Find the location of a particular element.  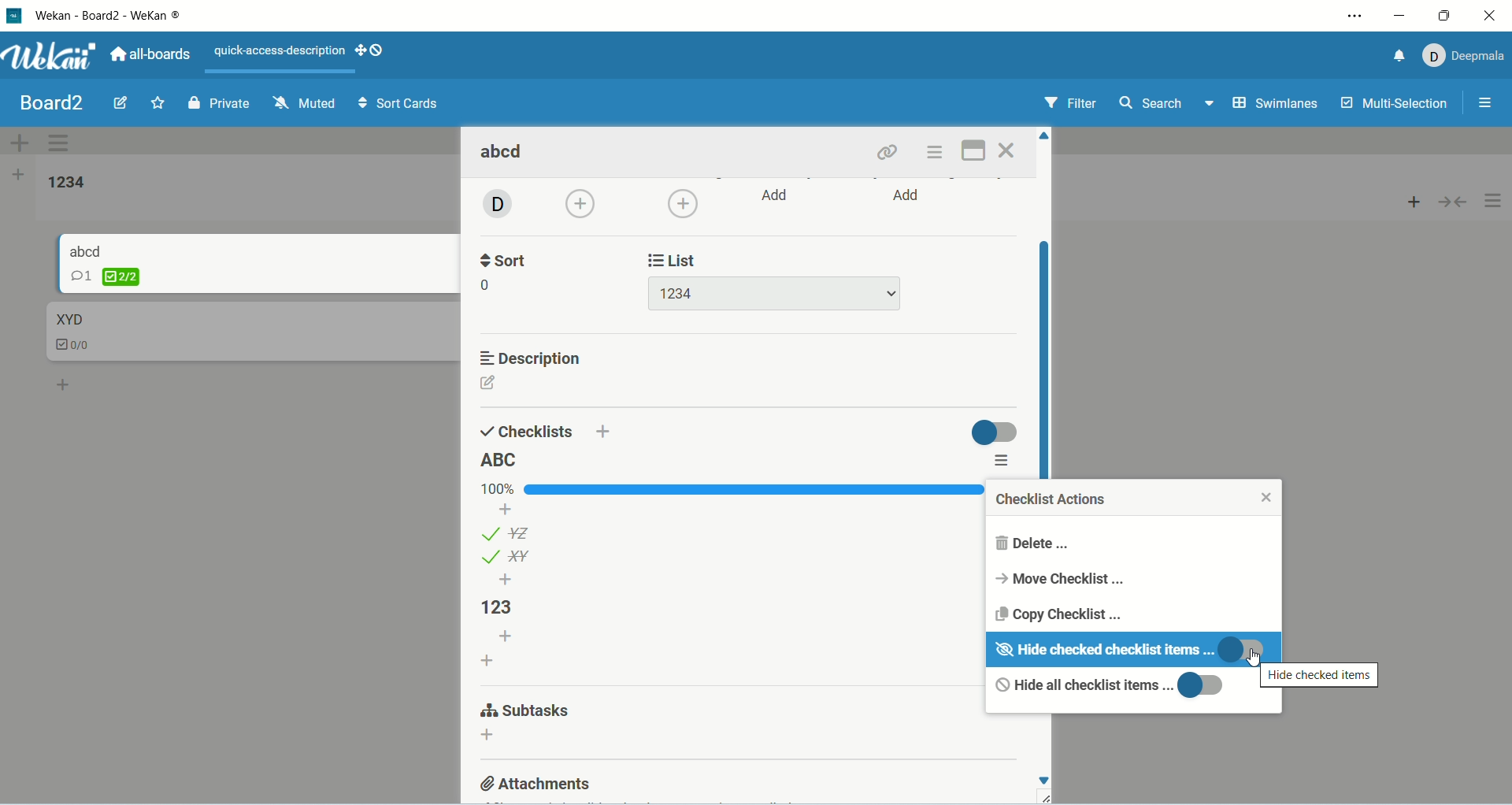

all boards is located at coordinates (154, 54).